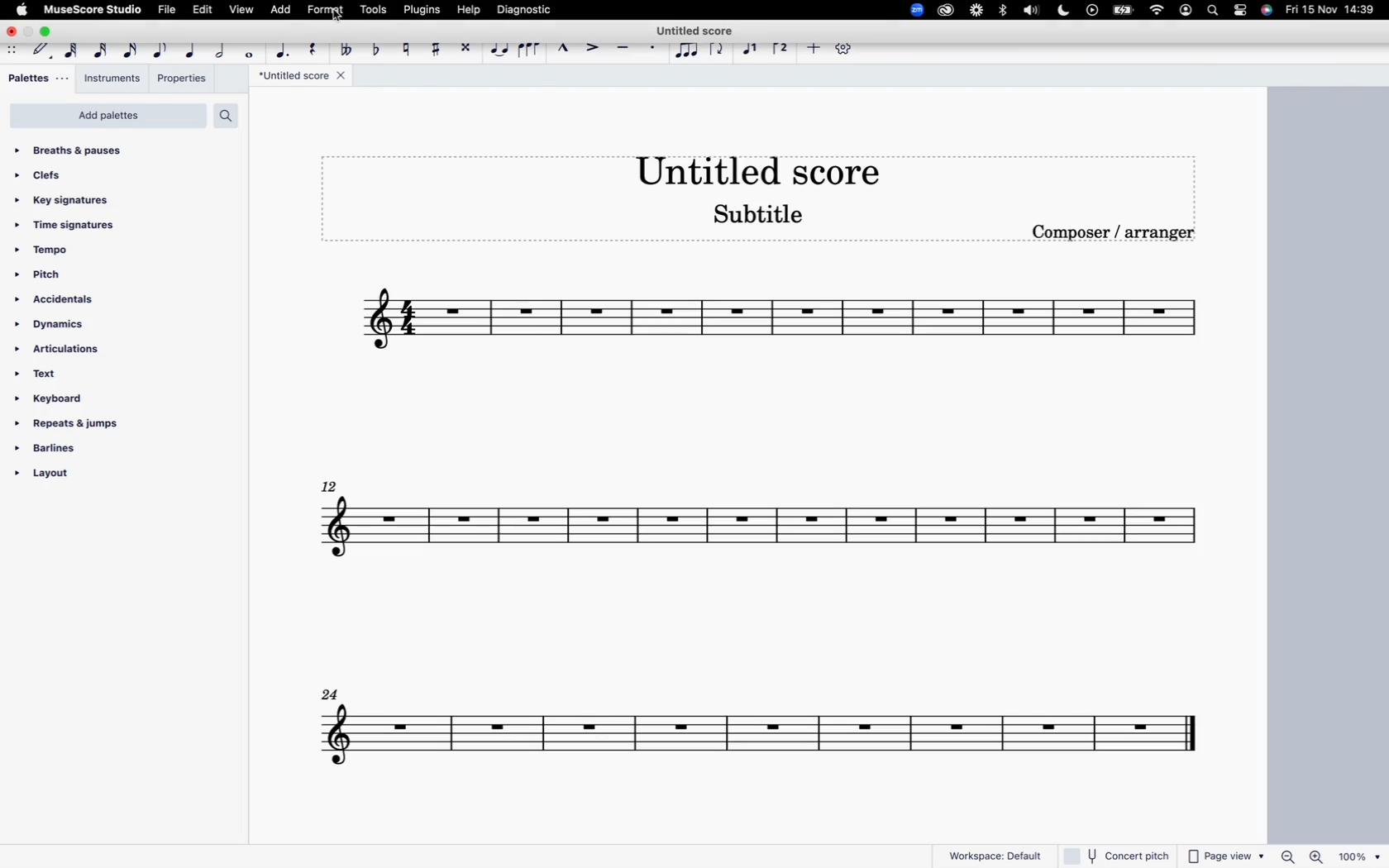  I want to click on accent , so click(594, 51).